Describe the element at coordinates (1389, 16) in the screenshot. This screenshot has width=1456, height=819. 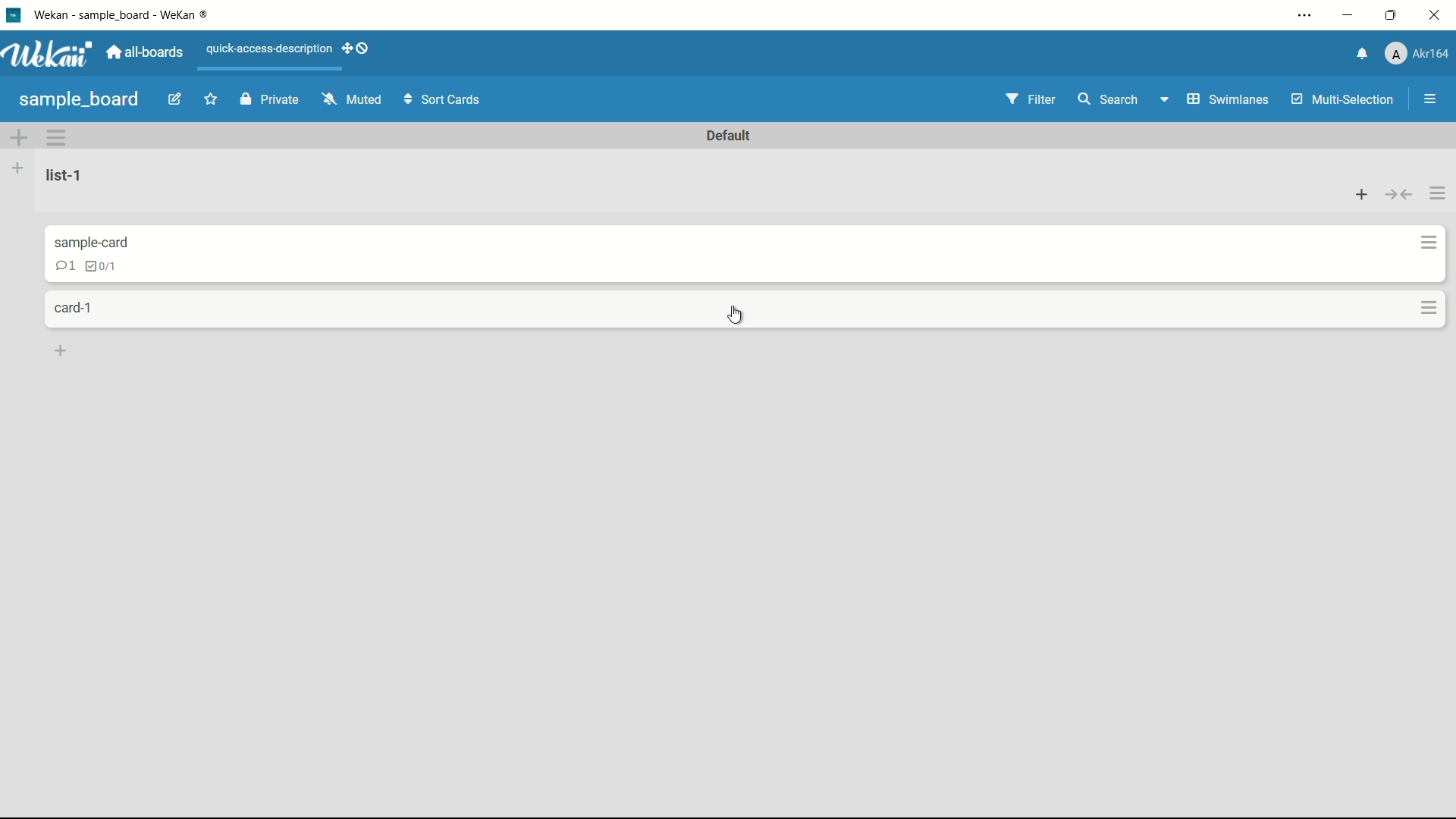
I see `maximize` at that location.